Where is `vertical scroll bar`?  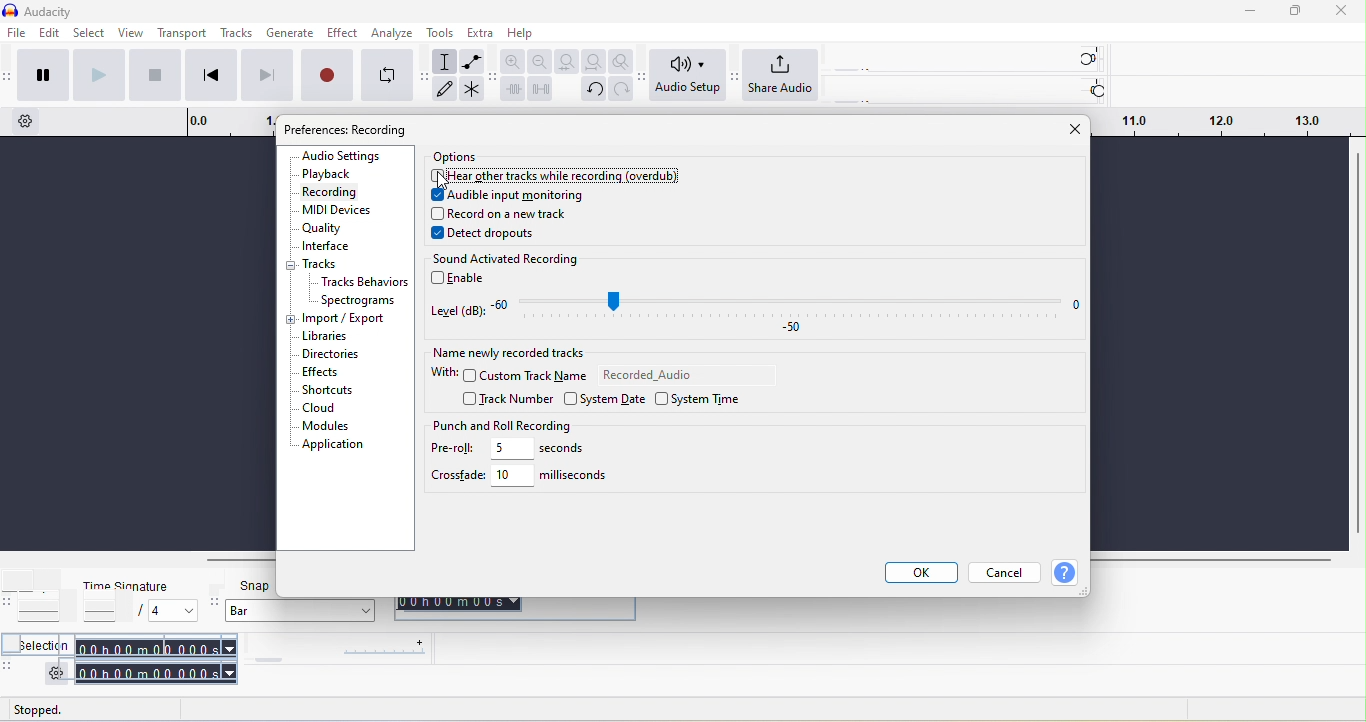
vertical scroll bar is located at coordinates (1356, 342).